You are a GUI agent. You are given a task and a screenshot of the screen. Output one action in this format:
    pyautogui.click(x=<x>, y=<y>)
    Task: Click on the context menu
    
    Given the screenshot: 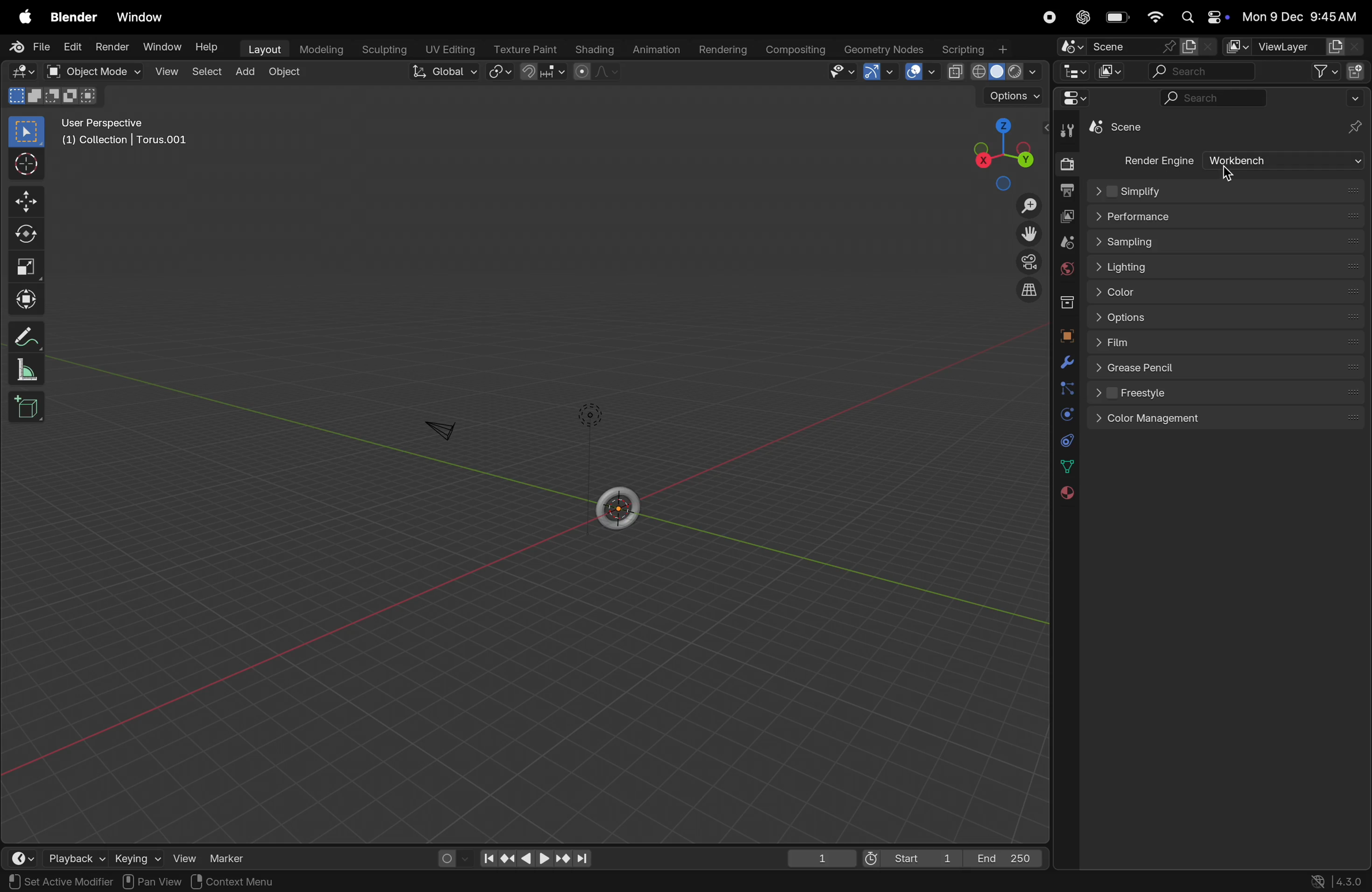 What is the action you would take?
    pyautogui.click(x=232, y=882)
    